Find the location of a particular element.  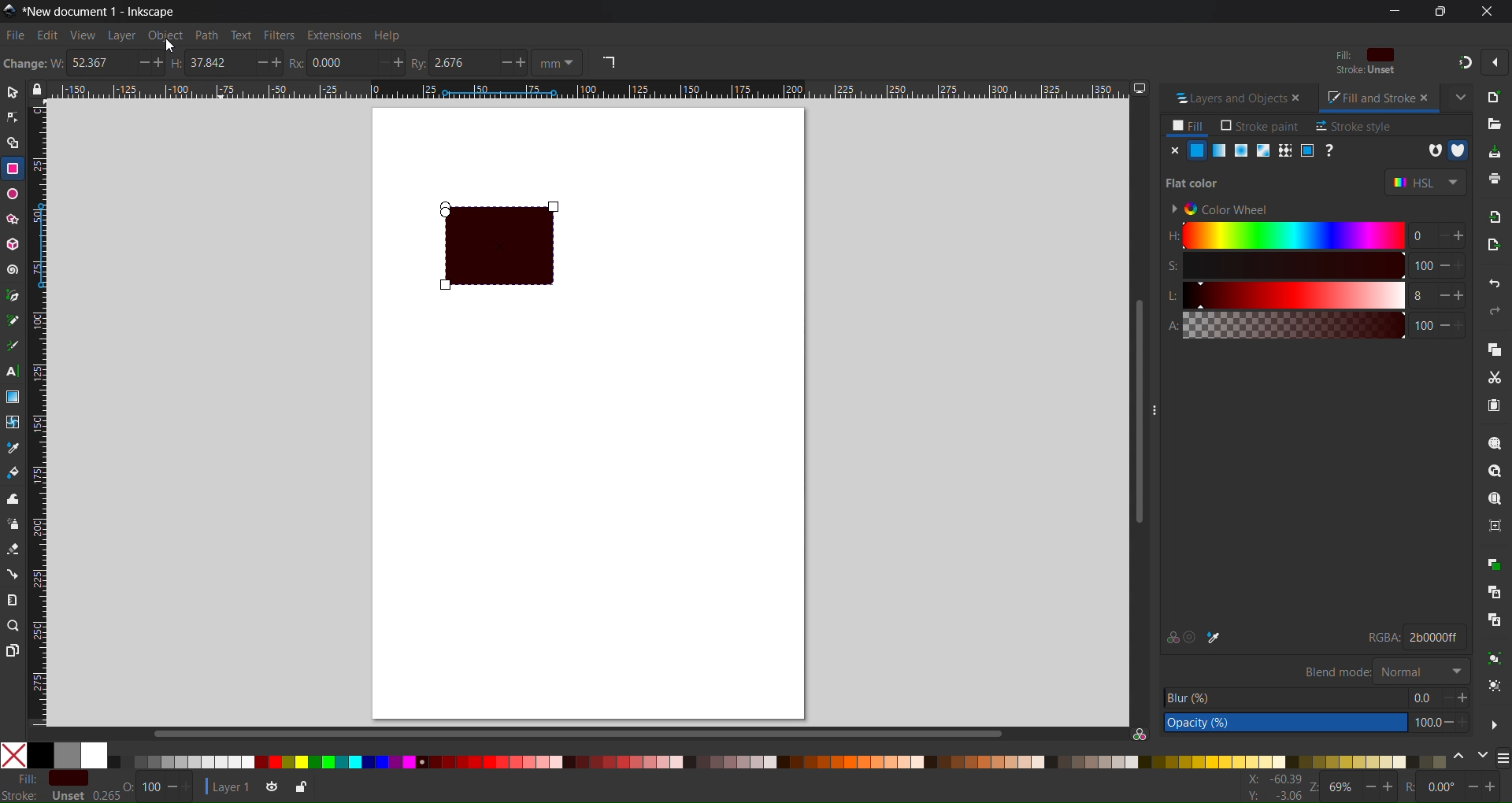

Spray tool is located at coordinates (13, 524).